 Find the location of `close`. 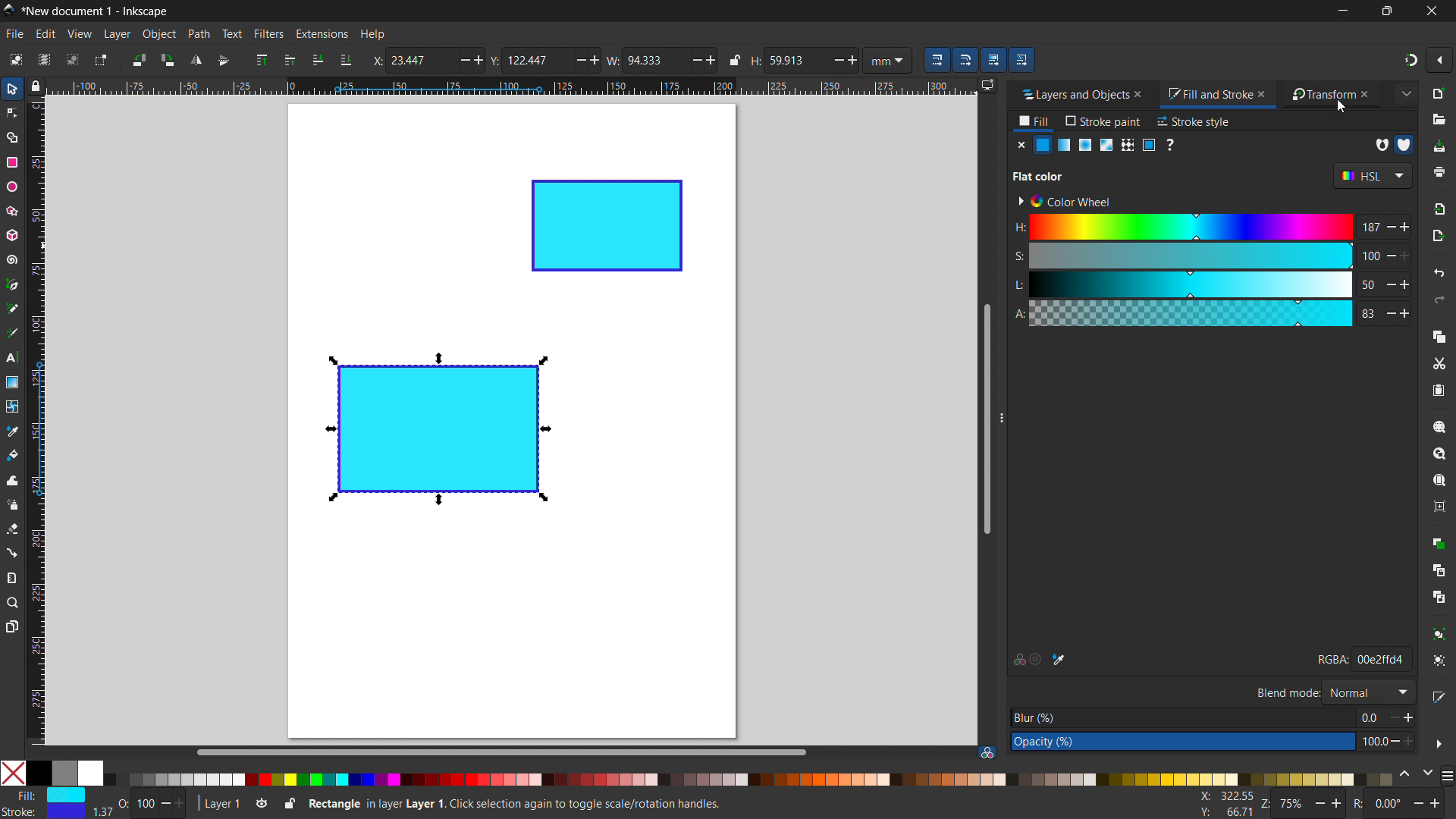

close is located at coordinates (1430, 11).